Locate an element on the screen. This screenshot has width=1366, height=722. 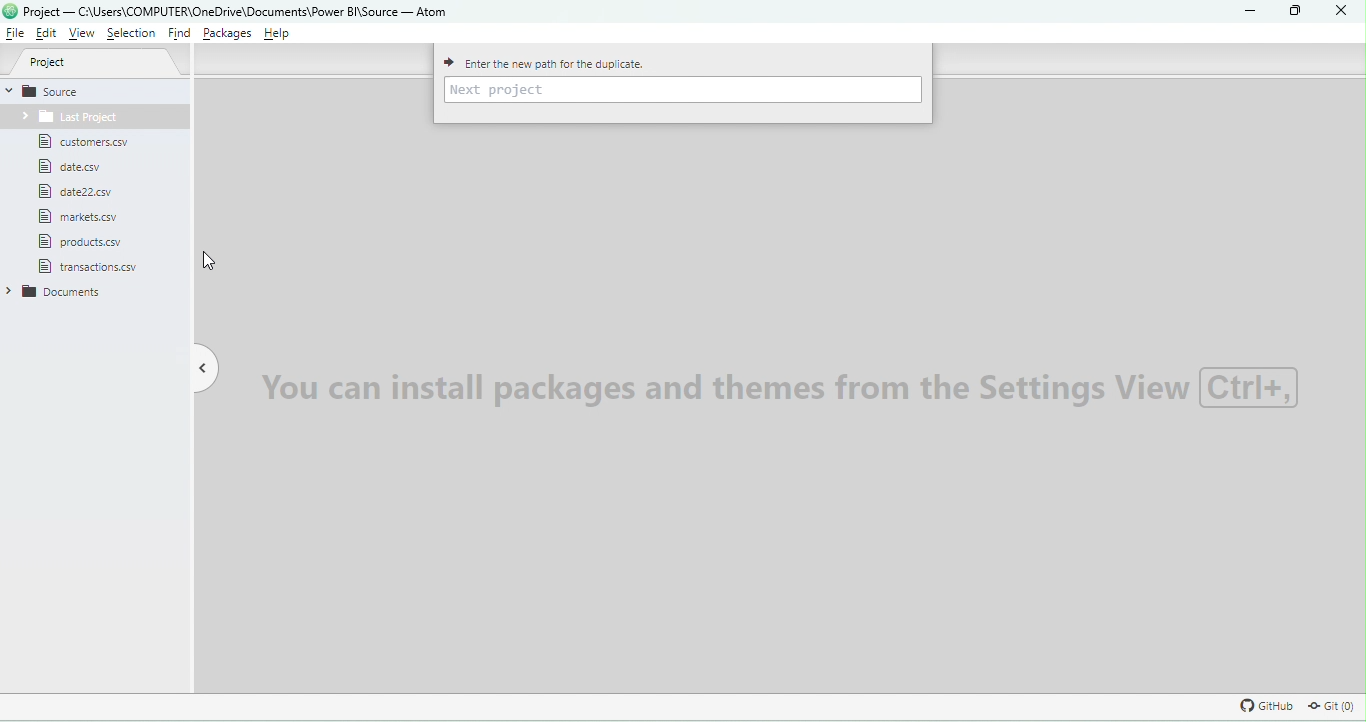
File is located at coordinates (81, 242).